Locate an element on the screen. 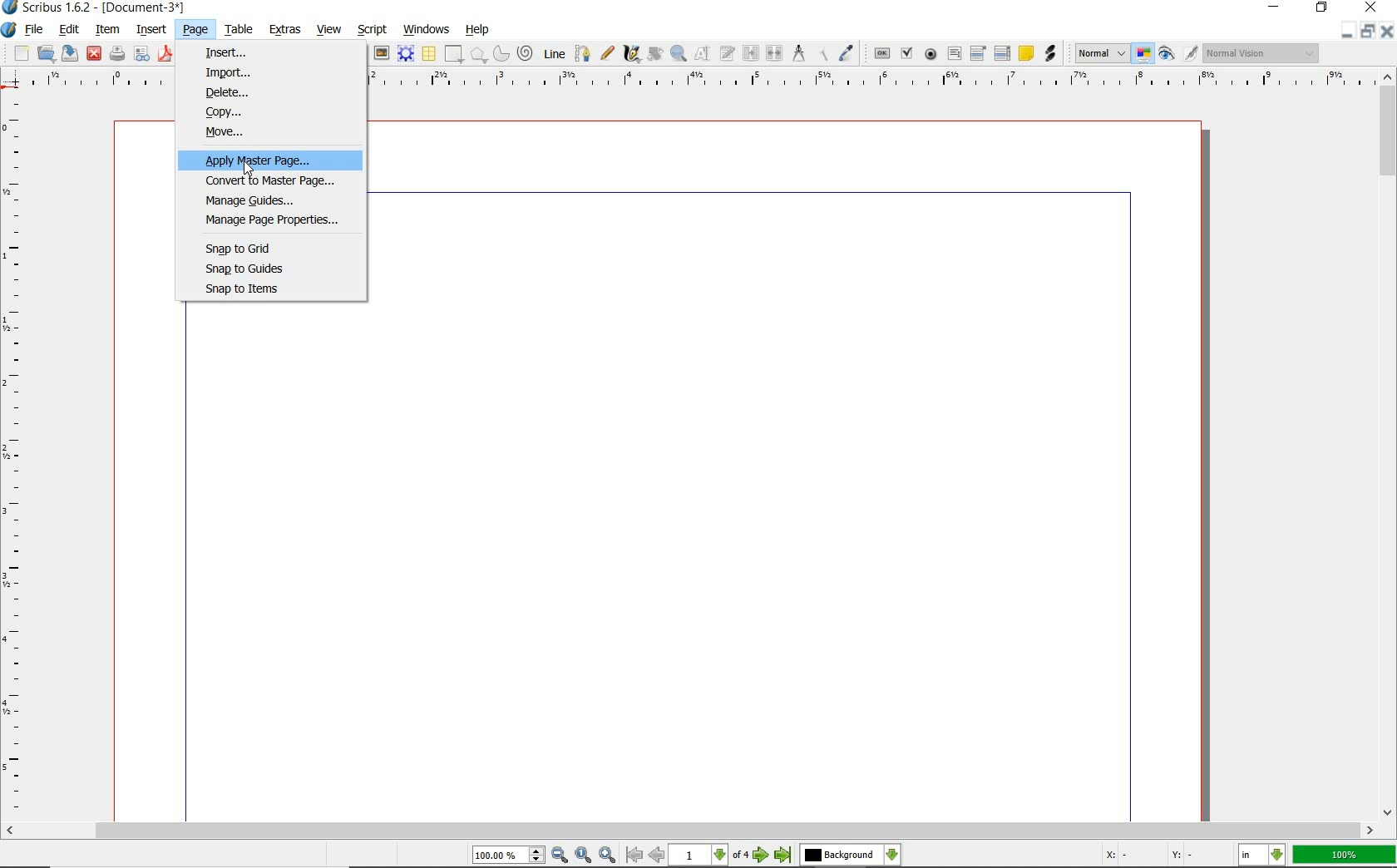 Image resolution: width=1397 pixels, height=868 pixels. save is located at coordinates (68, 53).